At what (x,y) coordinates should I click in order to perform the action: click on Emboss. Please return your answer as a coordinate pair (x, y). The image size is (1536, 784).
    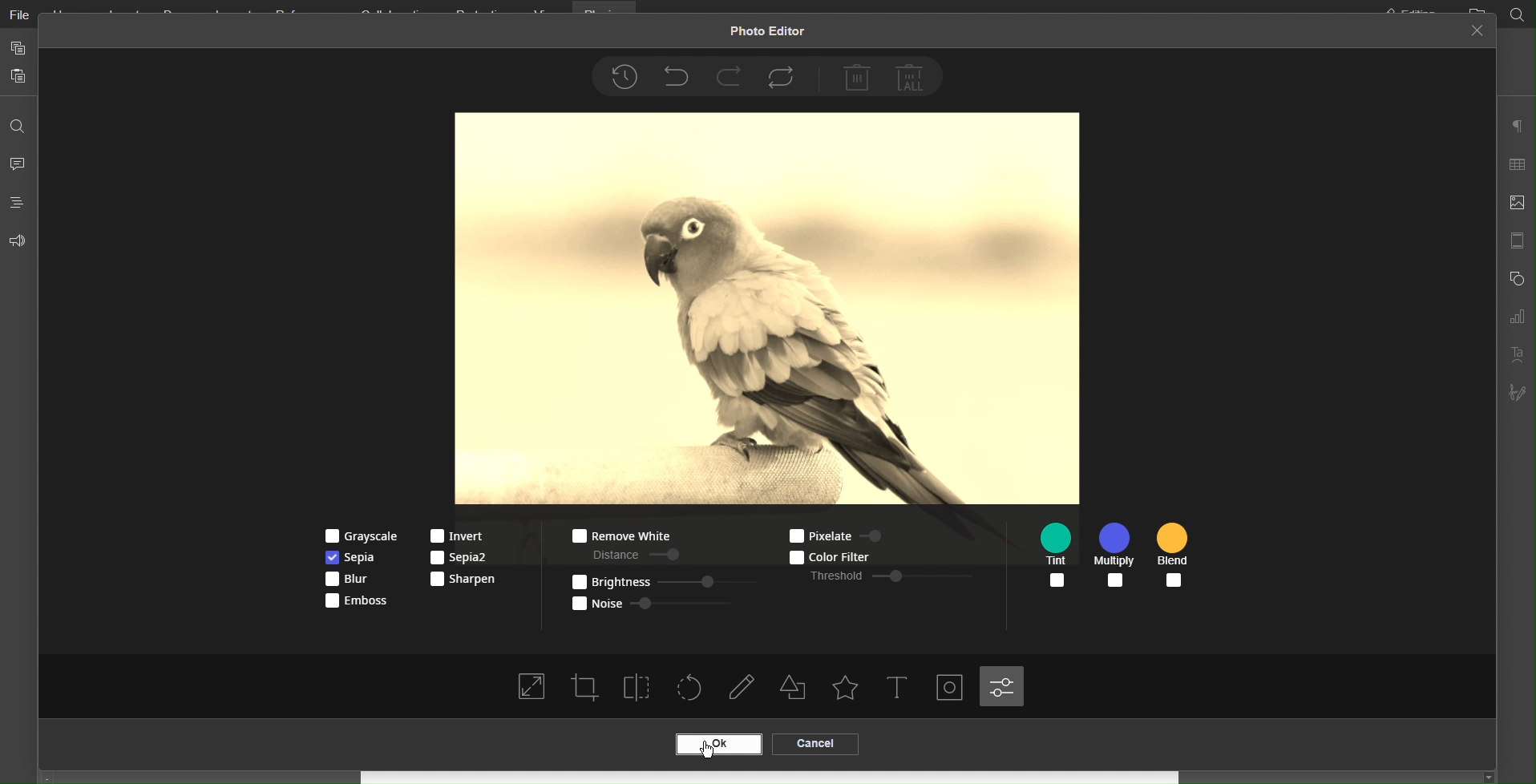
    Looking at the image, I should click on (355, 603).